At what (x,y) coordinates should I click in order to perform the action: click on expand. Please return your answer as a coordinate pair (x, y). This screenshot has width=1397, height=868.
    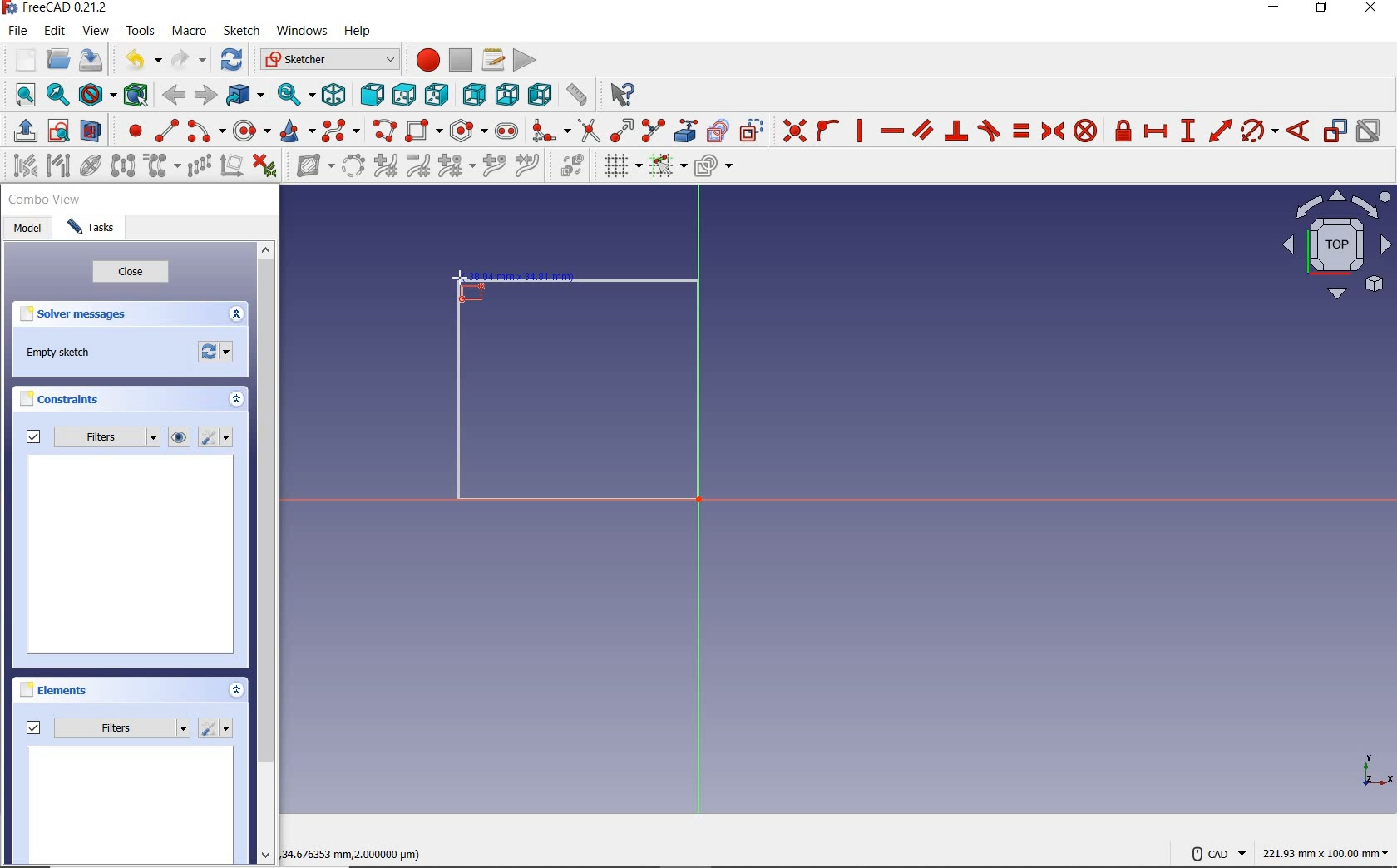
    Looking at the image, I should click on (235, 689).